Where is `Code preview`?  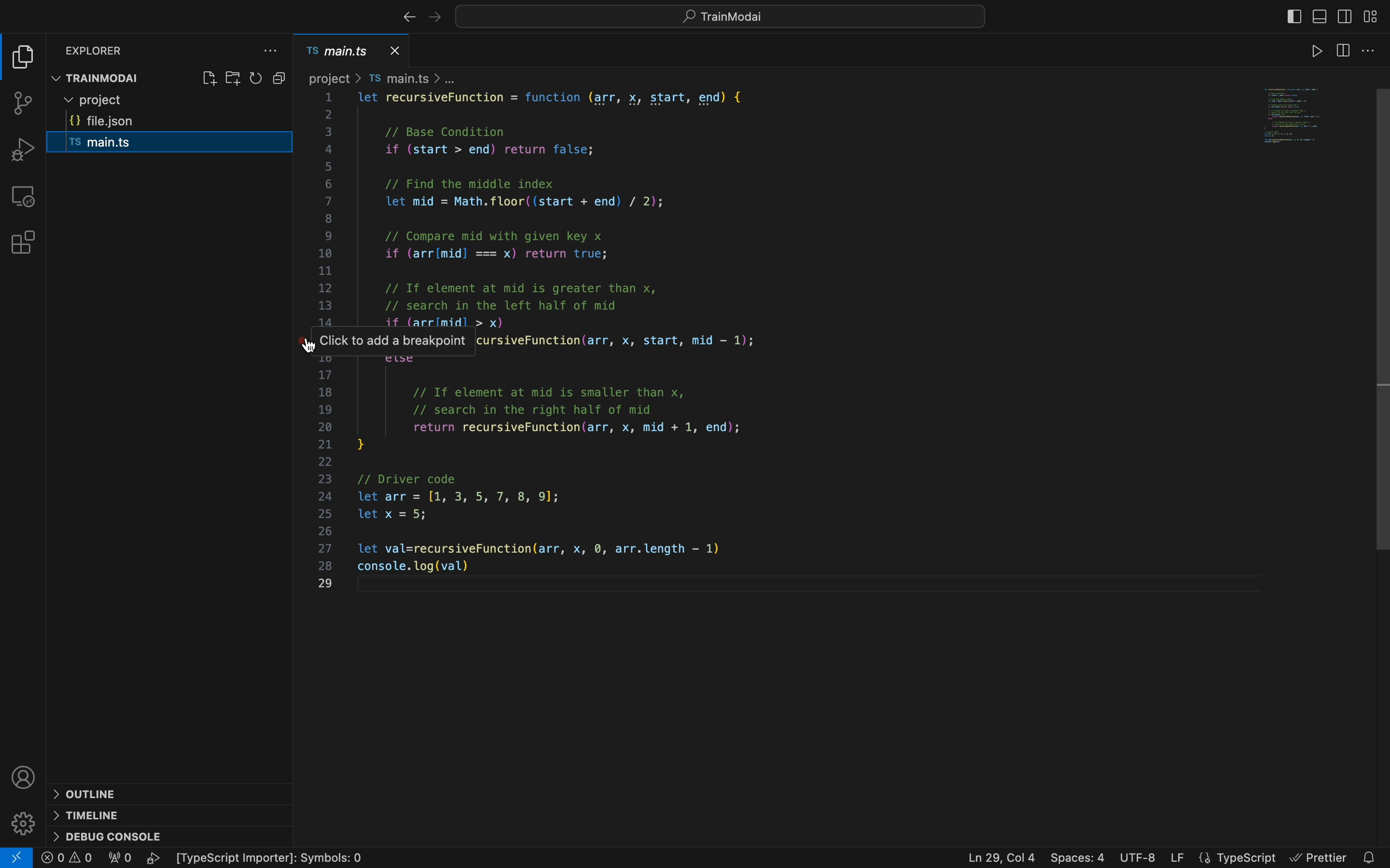
Code preview is located at coordinates (1295, 116).